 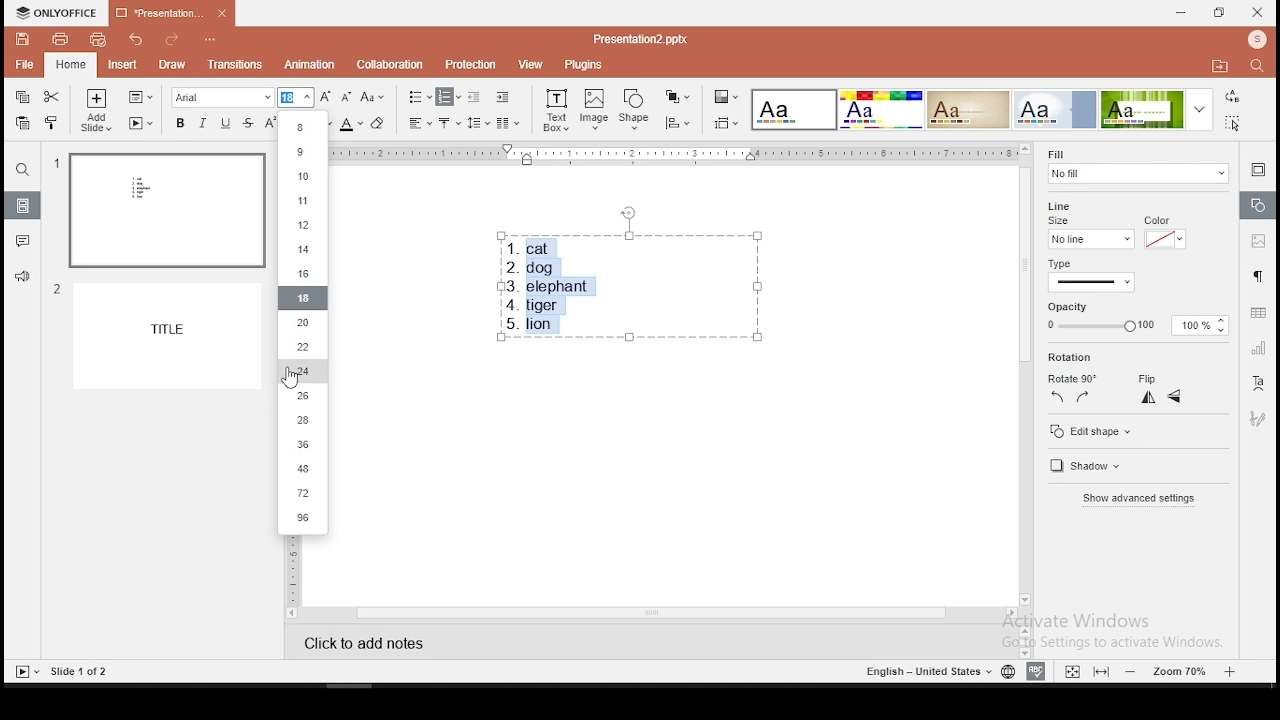 What do you see at coordinates (1257, 207) in the screenshot?
I see `shape settings` at bounding box center [1257, 207].